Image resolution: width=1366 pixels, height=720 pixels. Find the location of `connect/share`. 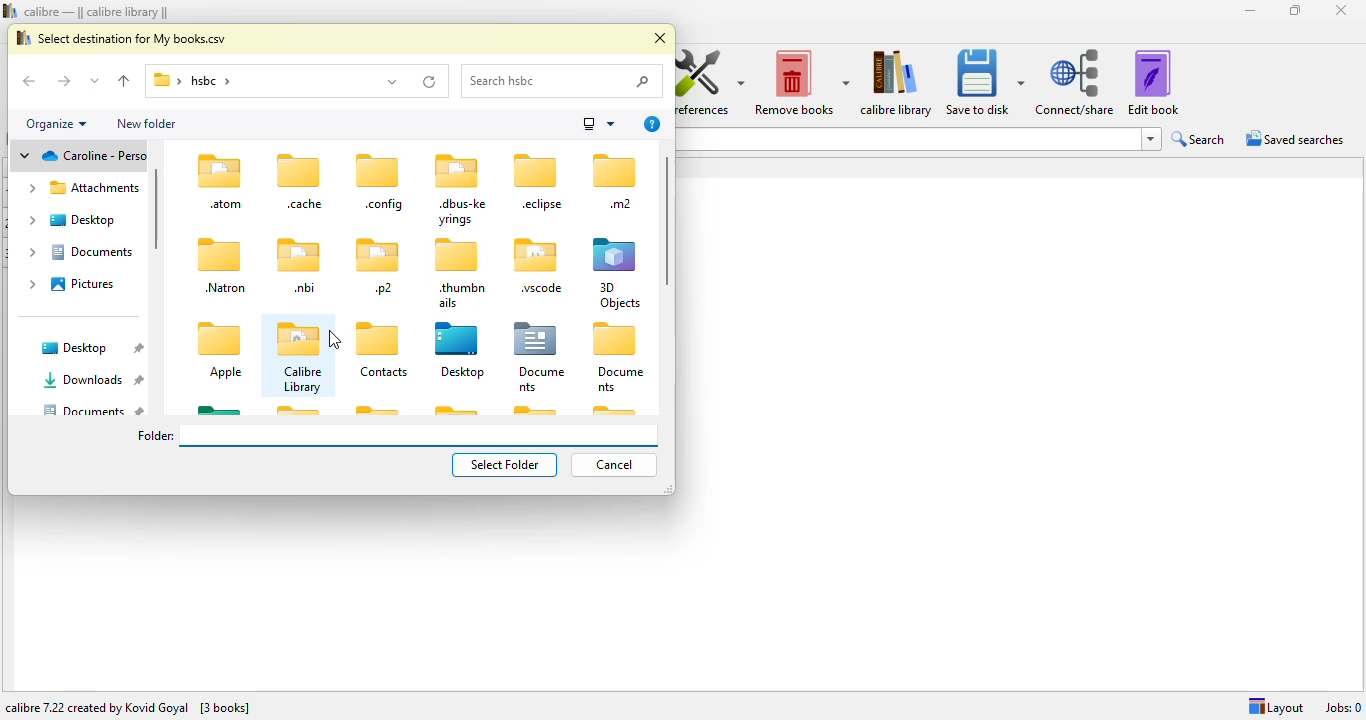

connect/share is located at coordinates (1076, 83).